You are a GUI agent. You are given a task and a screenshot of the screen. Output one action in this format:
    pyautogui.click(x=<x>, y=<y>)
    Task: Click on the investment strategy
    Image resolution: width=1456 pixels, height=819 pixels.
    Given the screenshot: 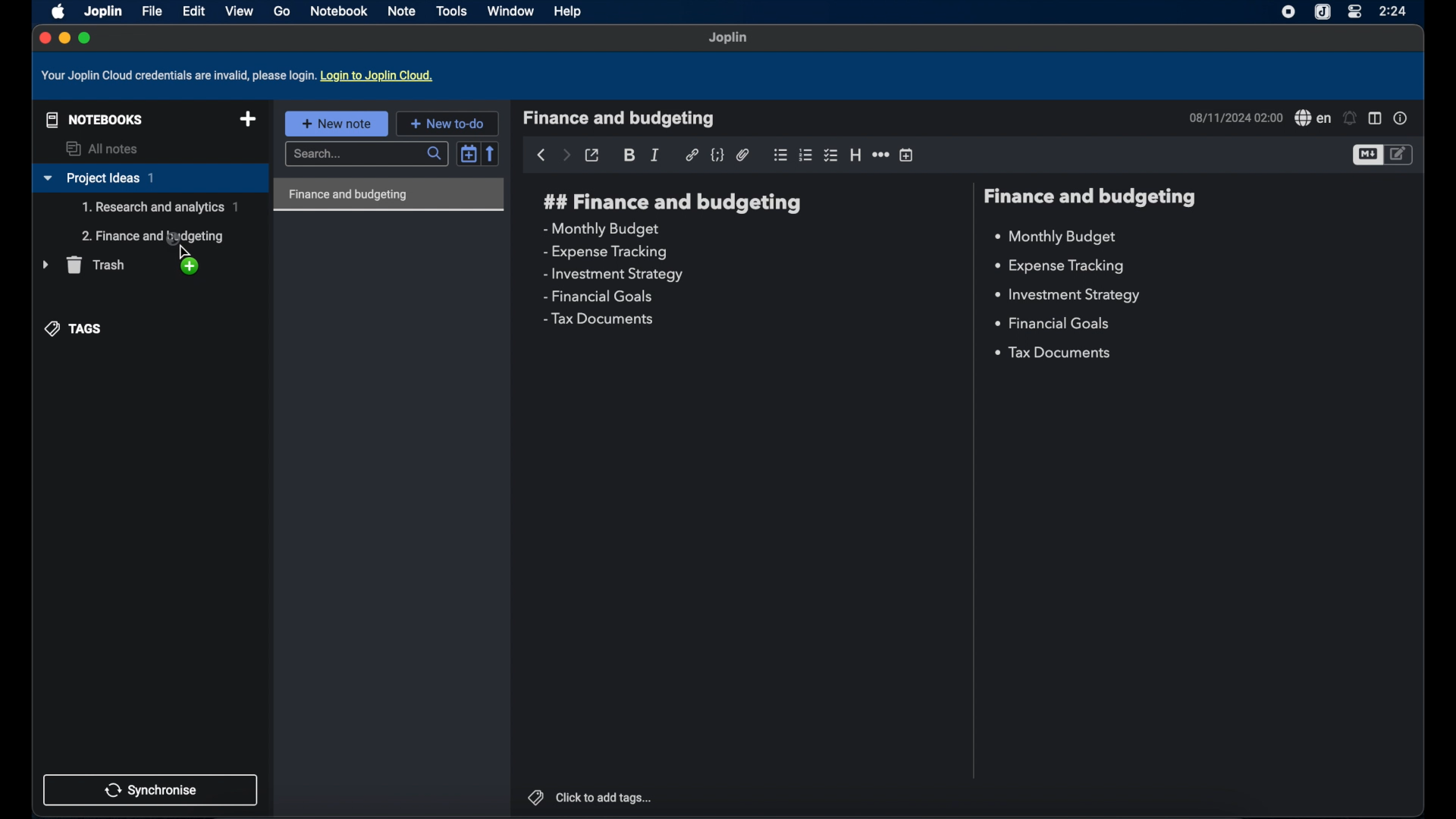 What is the action you would take?
    pyautogui.click(x=614, y=275)
    